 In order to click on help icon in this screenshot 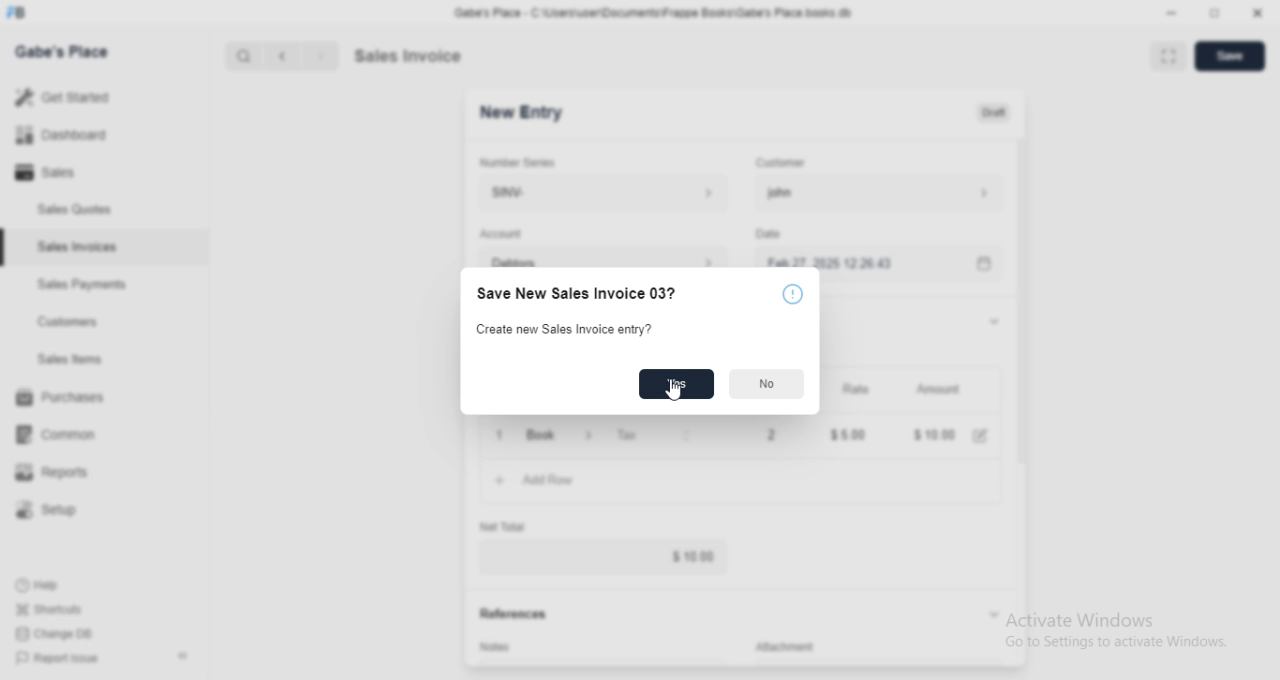, I will do `click(792, 294)`.